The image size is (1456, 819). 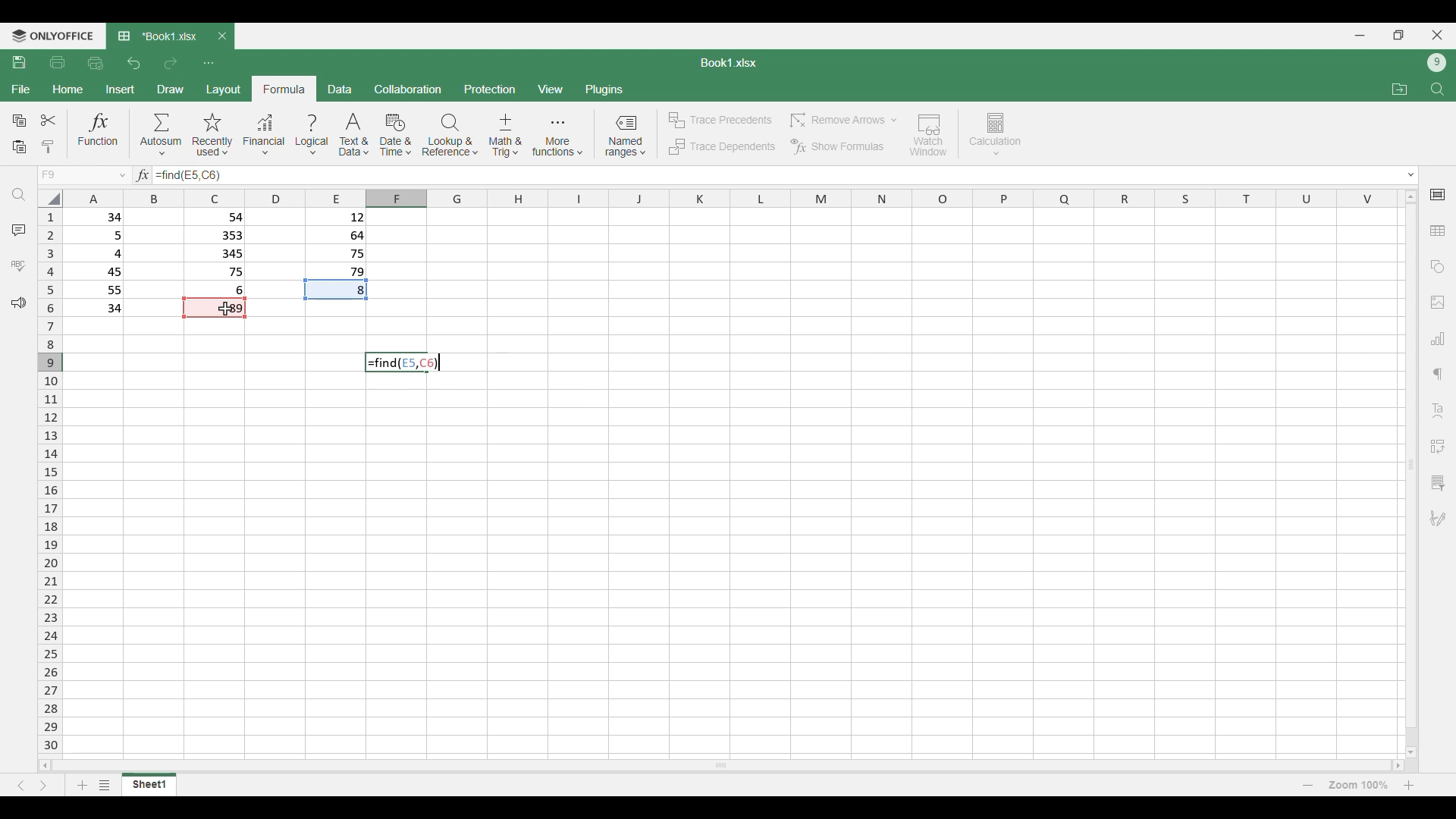 I want to click on Filled cells, so click(x=337, y=243).